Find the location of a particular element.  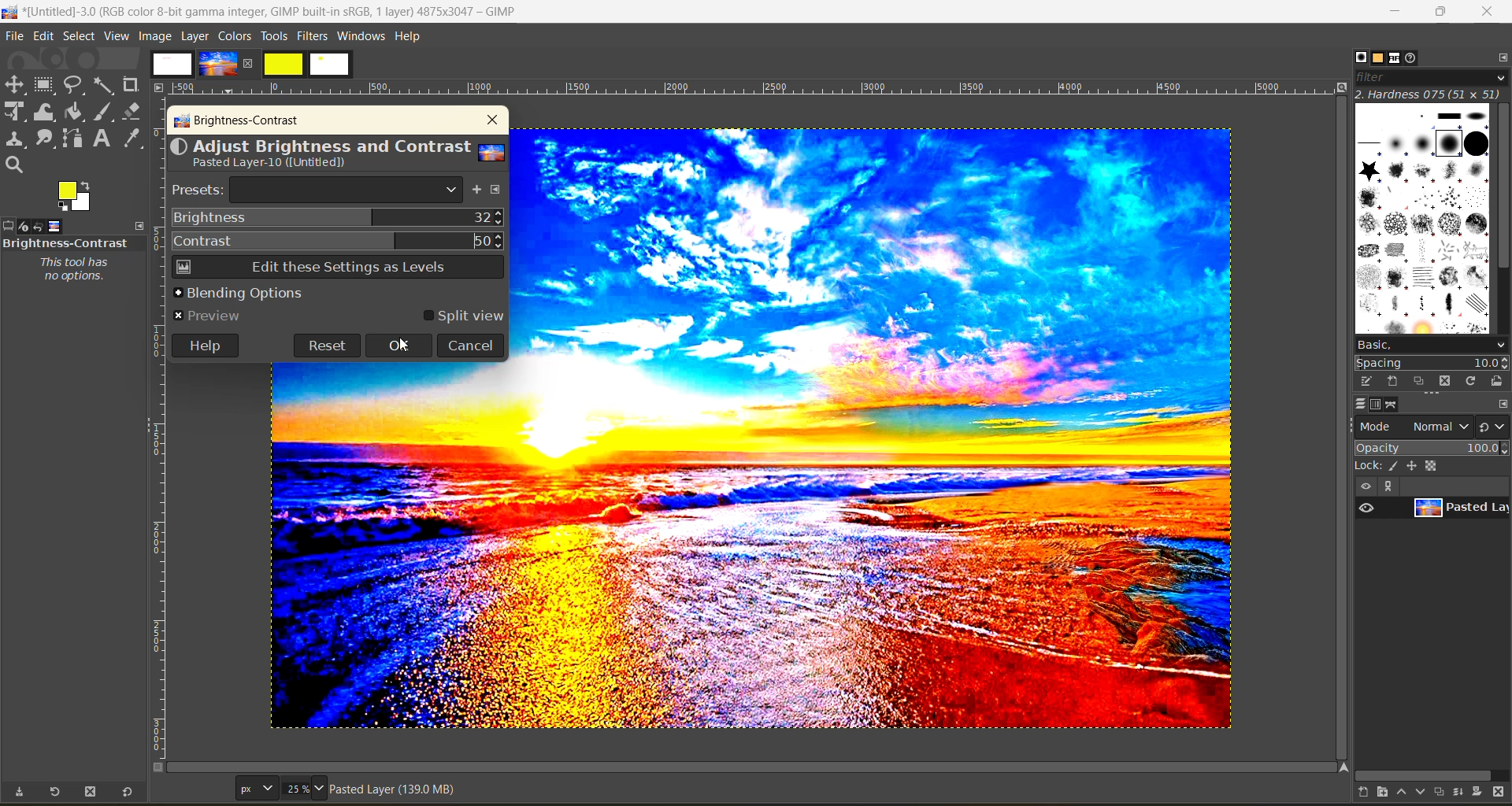

images is located at coordinates (250, 65).